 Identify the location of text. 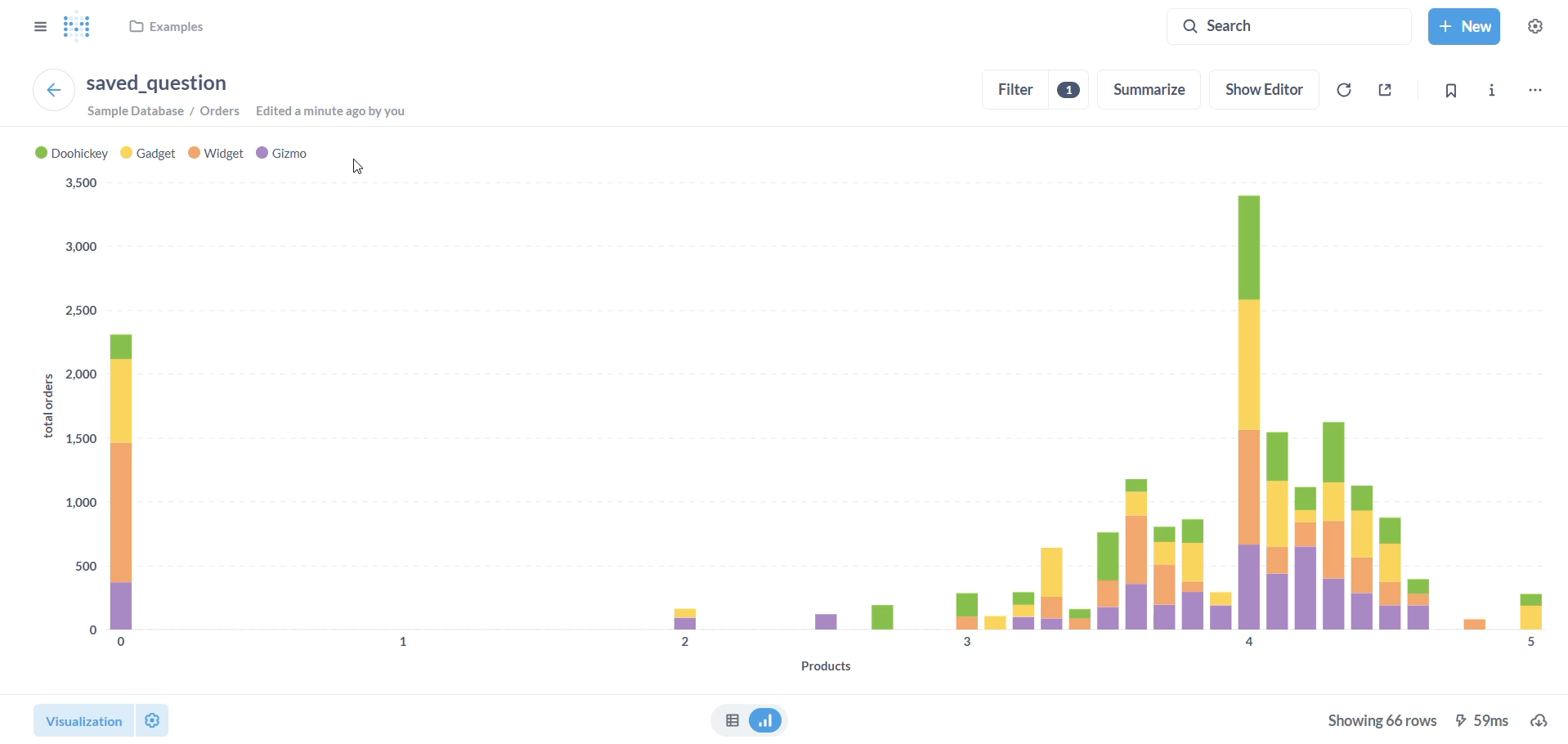
(258, 112).